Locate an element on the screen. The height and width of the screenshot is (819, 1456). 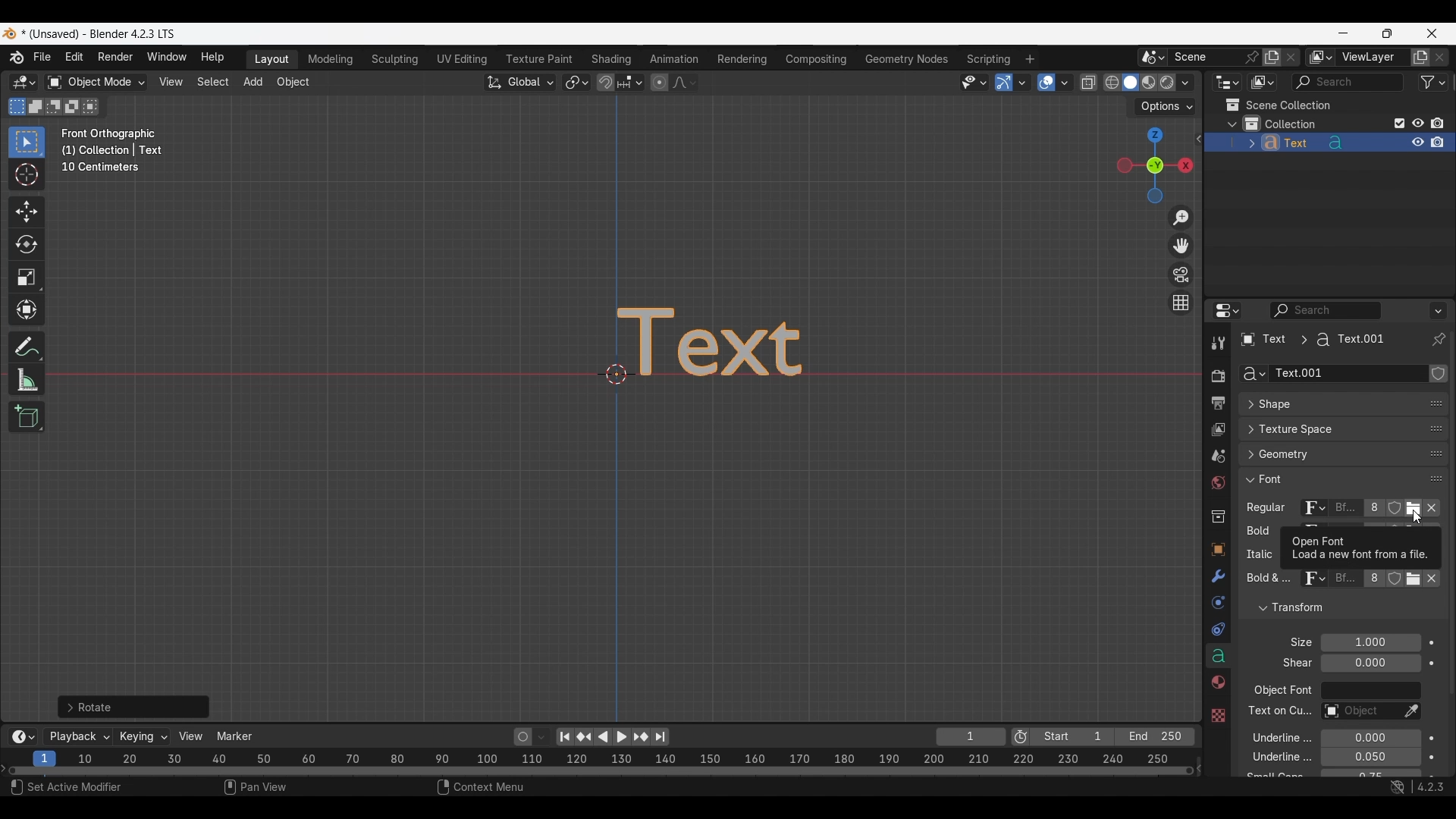
Rendering workspace is located at coordinates (742, 58).